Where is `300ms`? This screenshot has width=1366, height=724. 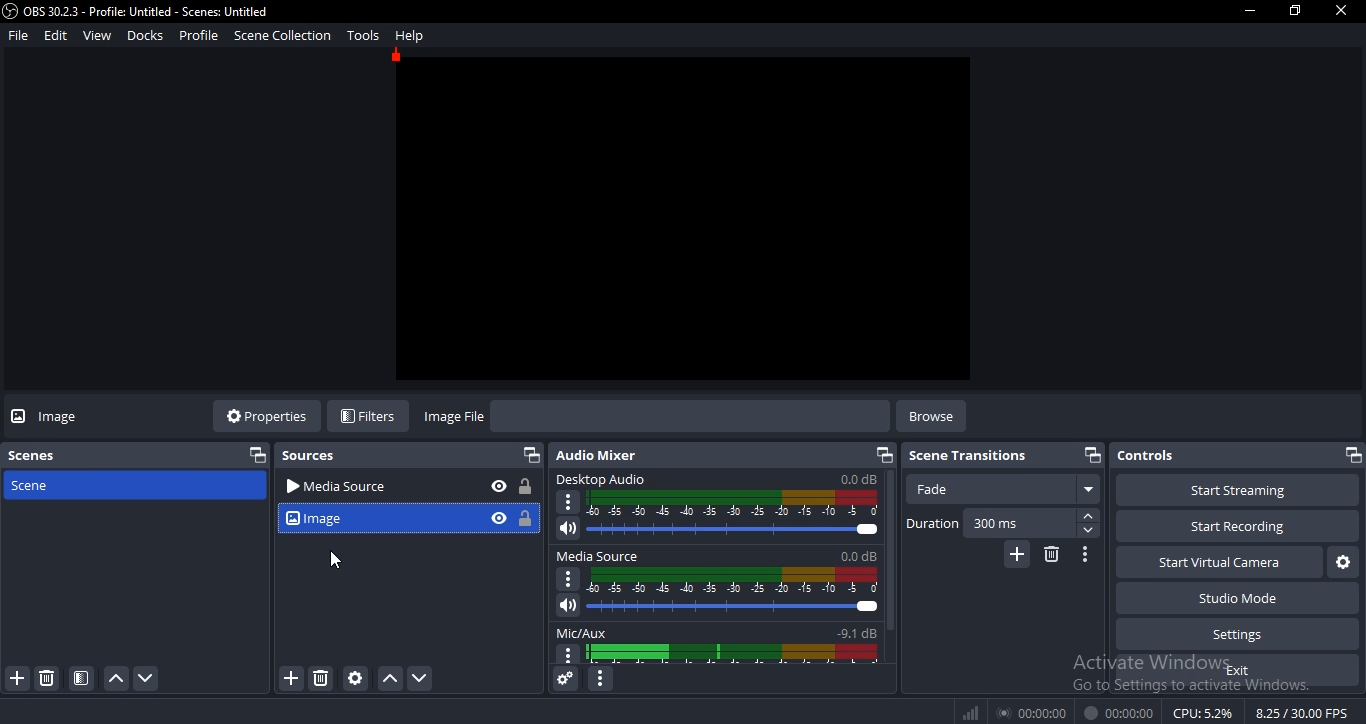
300ms is located at coordinates (995, 523).